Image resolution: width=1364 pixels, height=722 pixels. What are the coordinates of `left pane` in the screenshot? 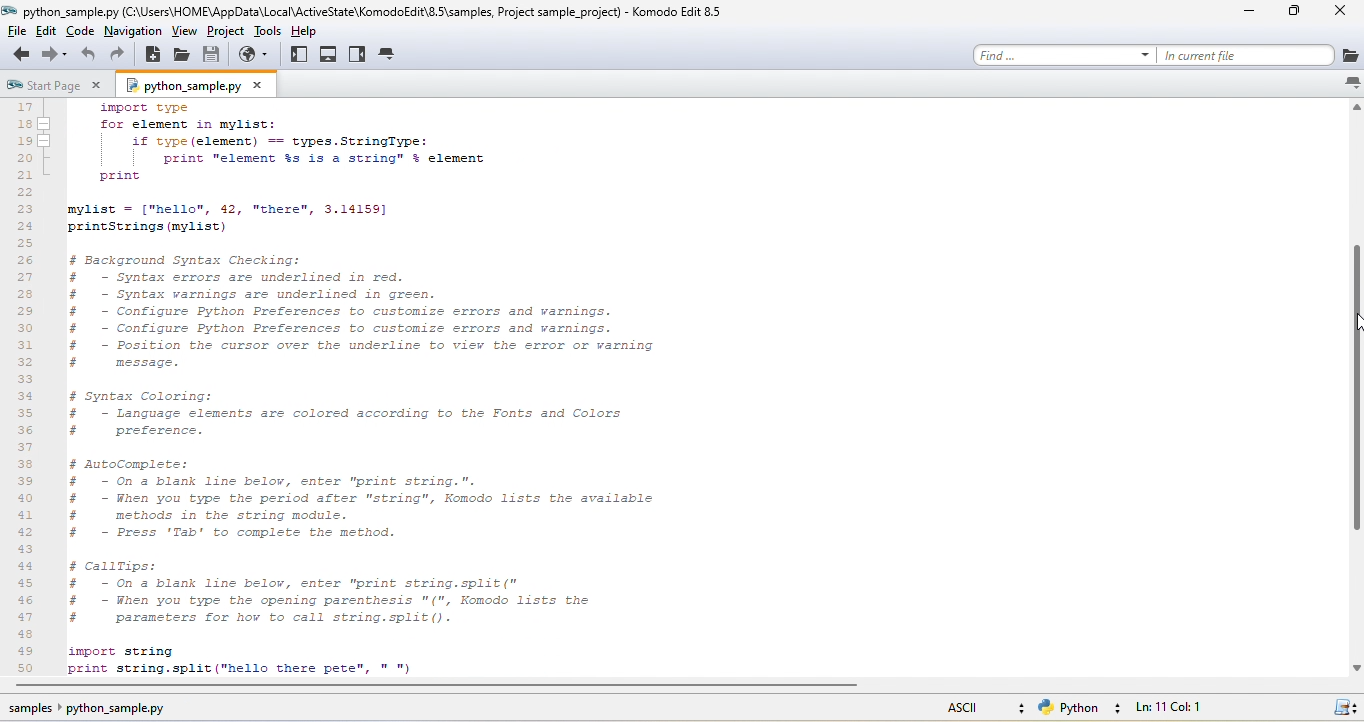 It's located at (300, 55).